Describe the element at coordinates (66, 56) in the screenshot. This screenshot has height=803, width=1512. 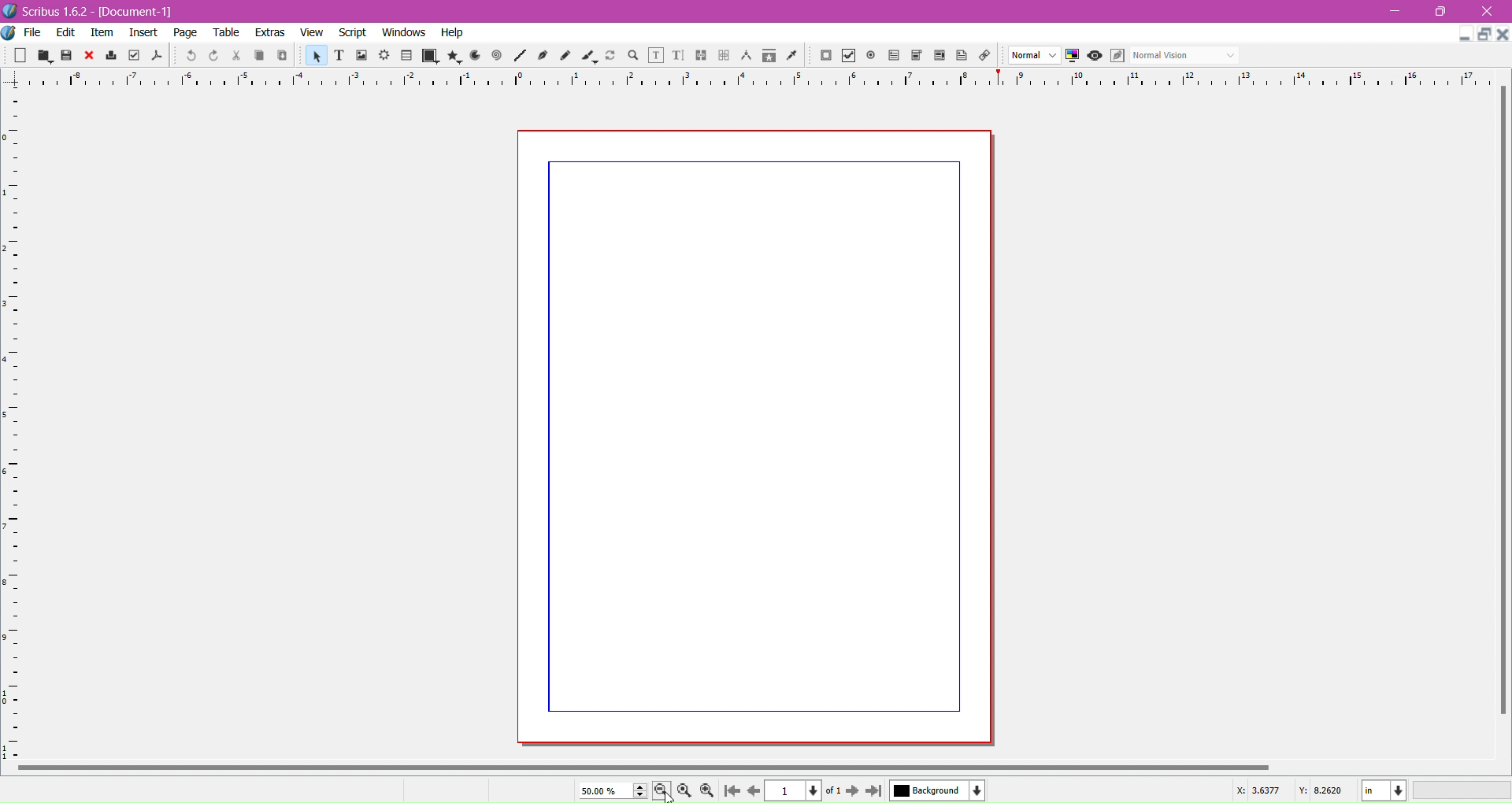
I see `Save` at that location.